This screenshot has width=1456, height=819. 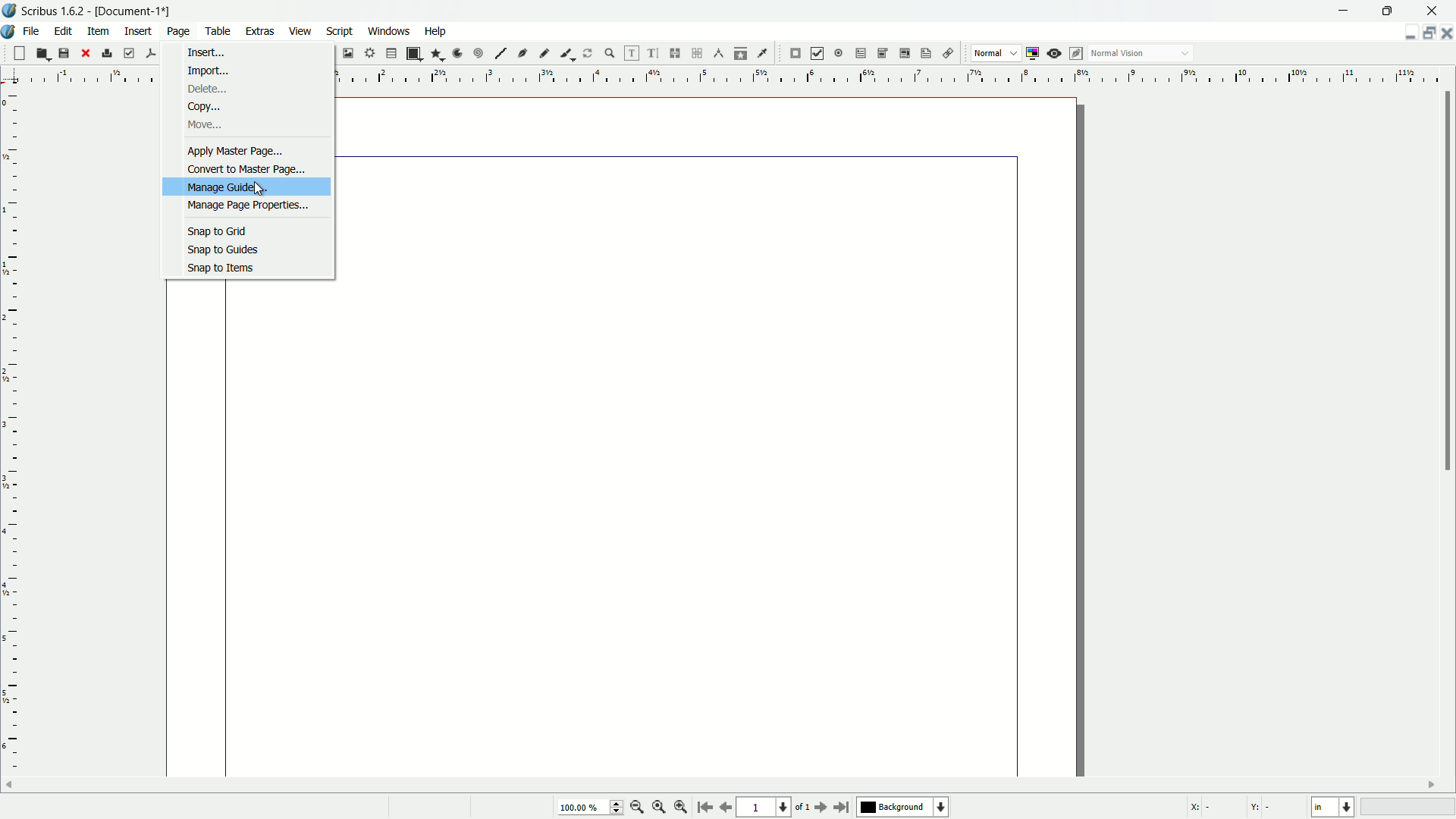 I want to click on zoom in or out, so click(x=610, y=52).